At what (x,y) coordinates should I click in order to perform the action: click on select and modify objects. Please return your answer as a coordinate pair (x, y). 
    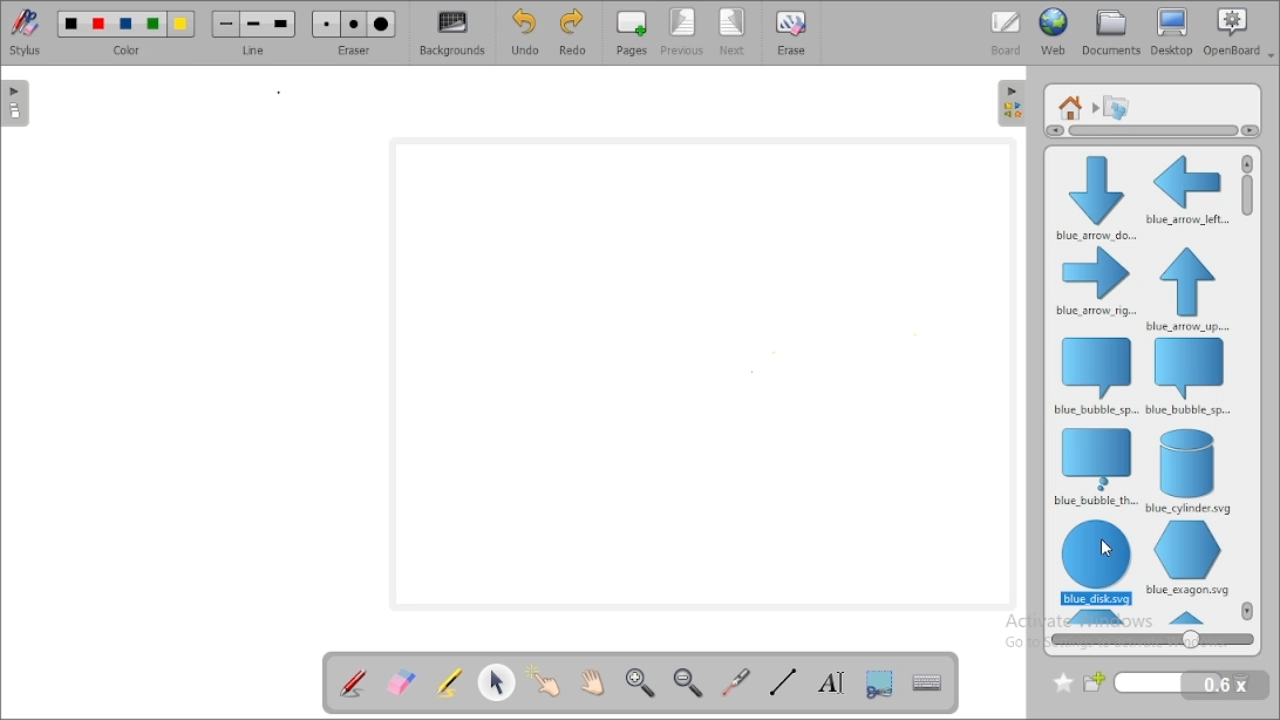
    Looking at the image, I should click on (498, 681).